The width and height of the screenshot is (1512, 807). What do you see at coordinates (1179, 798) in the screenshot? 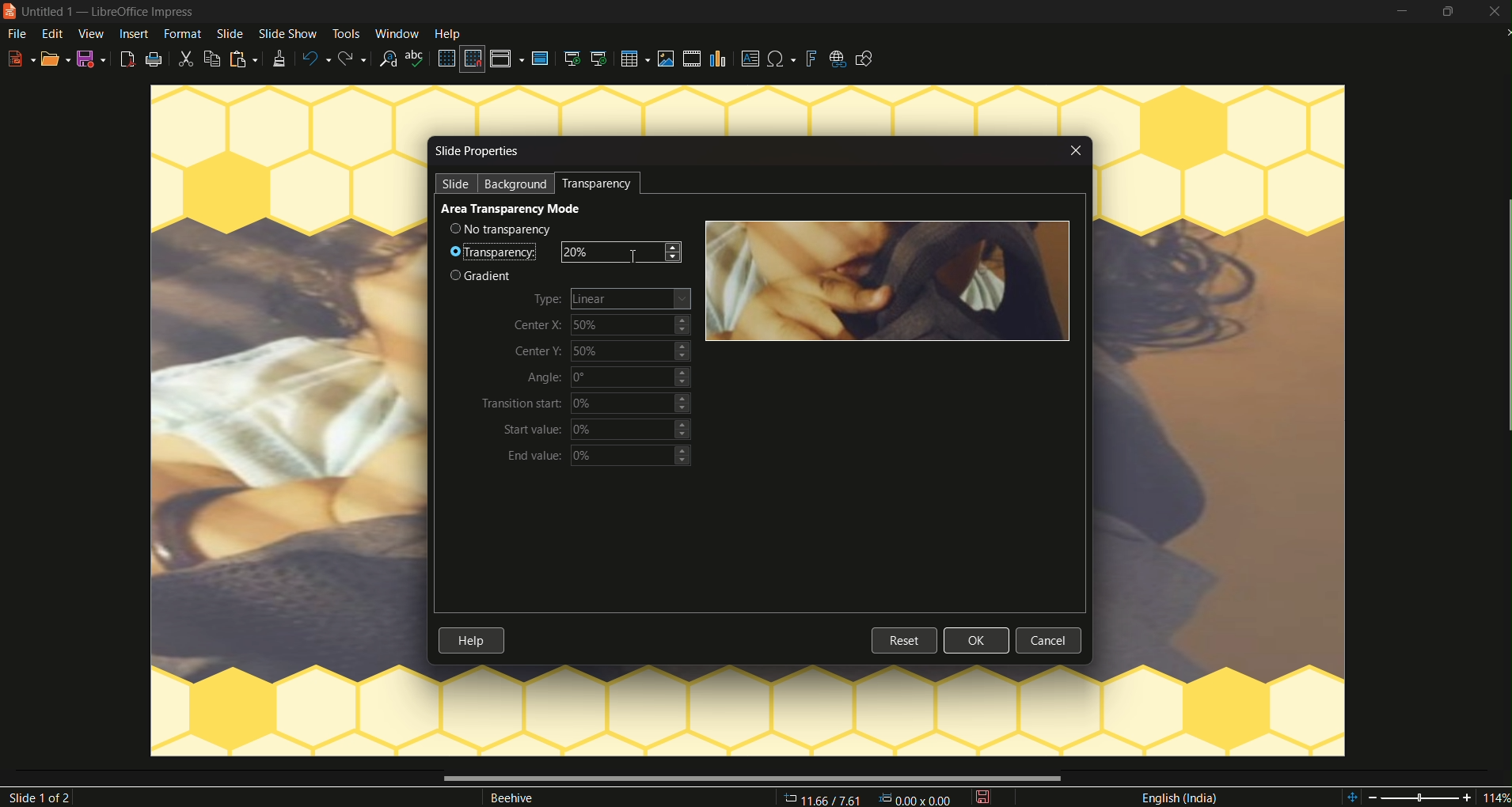
I see `language` at bounding box center [1179, 798].